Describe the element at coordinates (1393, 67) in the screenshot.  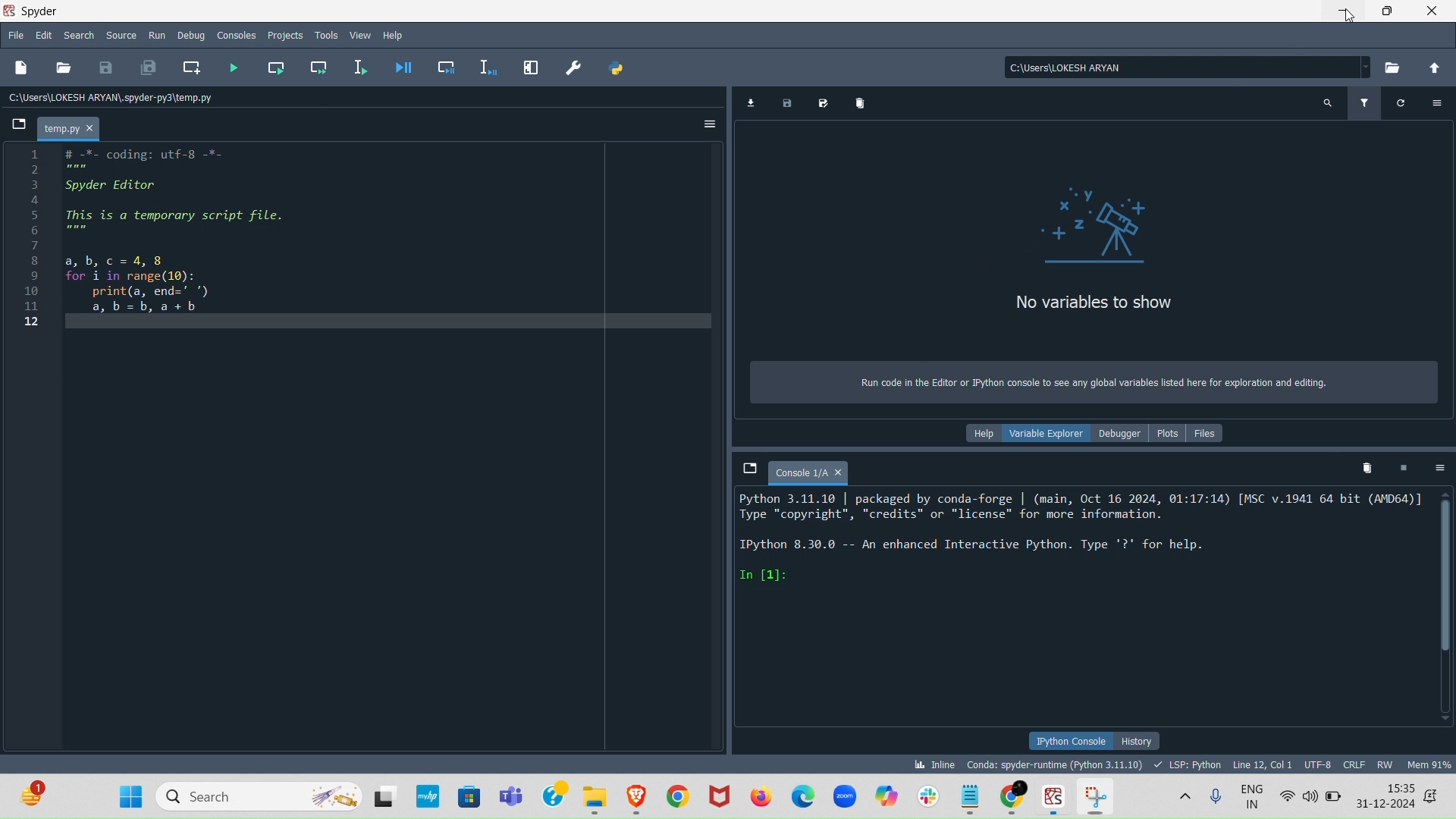
I see `Browse a working directory` at that location.